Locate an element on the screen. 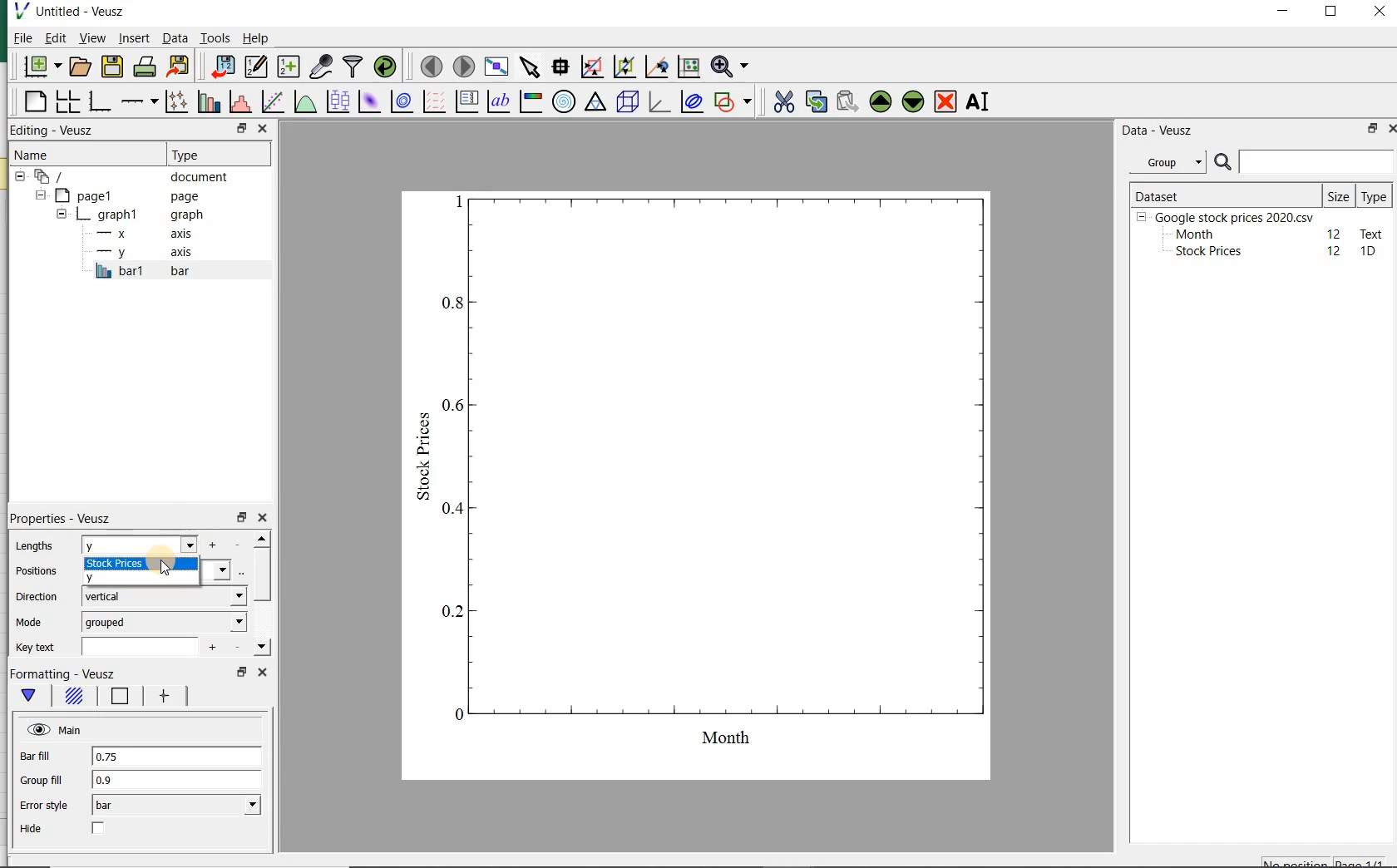 This screenshot has height=868, width=1397. check/uncheck is located at coordinates (100, 829).